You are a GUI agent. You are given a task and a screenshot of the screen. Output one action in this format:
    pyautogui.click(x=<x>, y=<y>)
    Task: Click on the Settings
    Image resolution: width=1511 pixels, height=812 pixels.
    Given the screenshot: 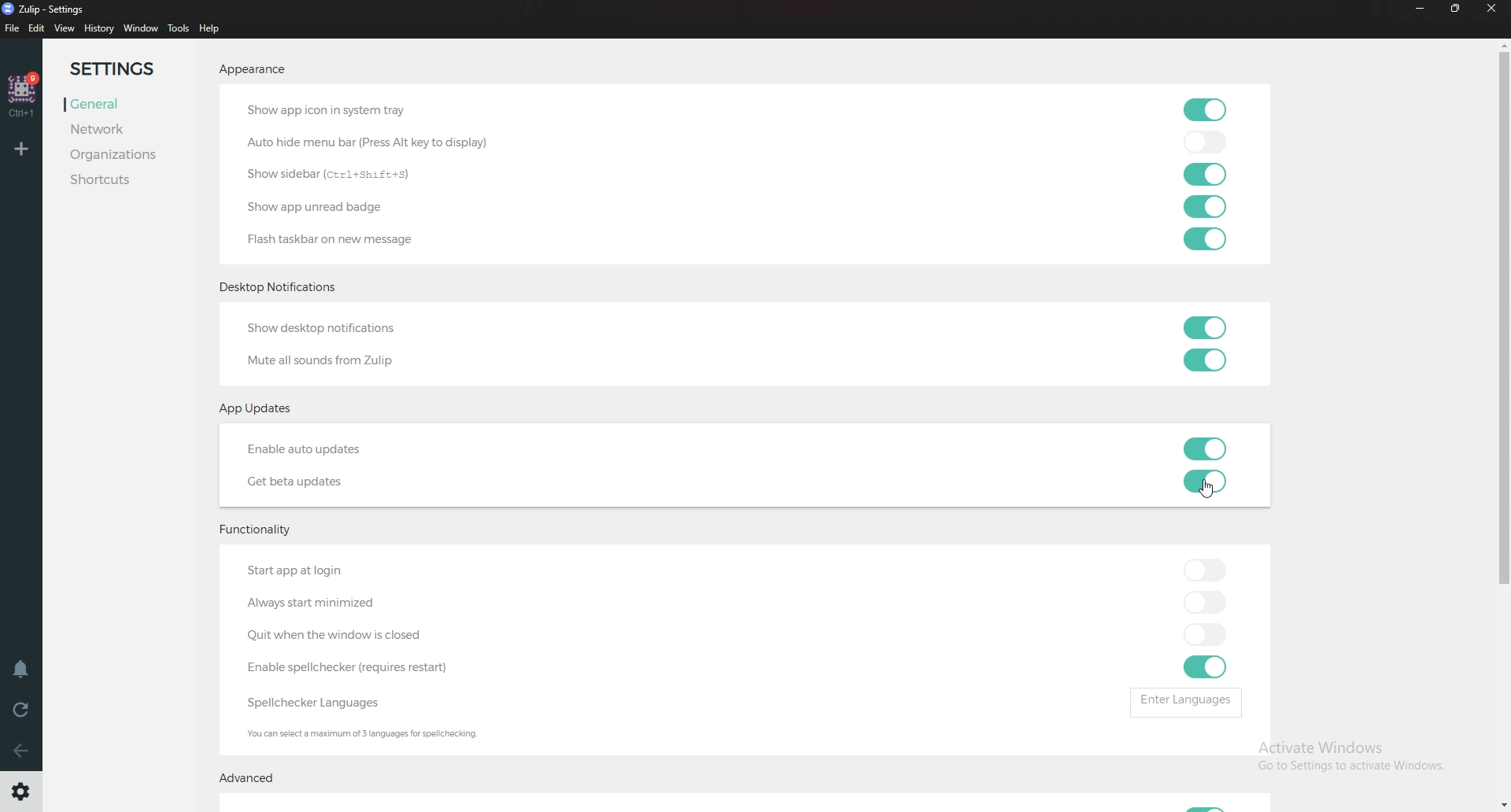 What is the action you would take?
    pyautogui.click(x=19, y=794)
    